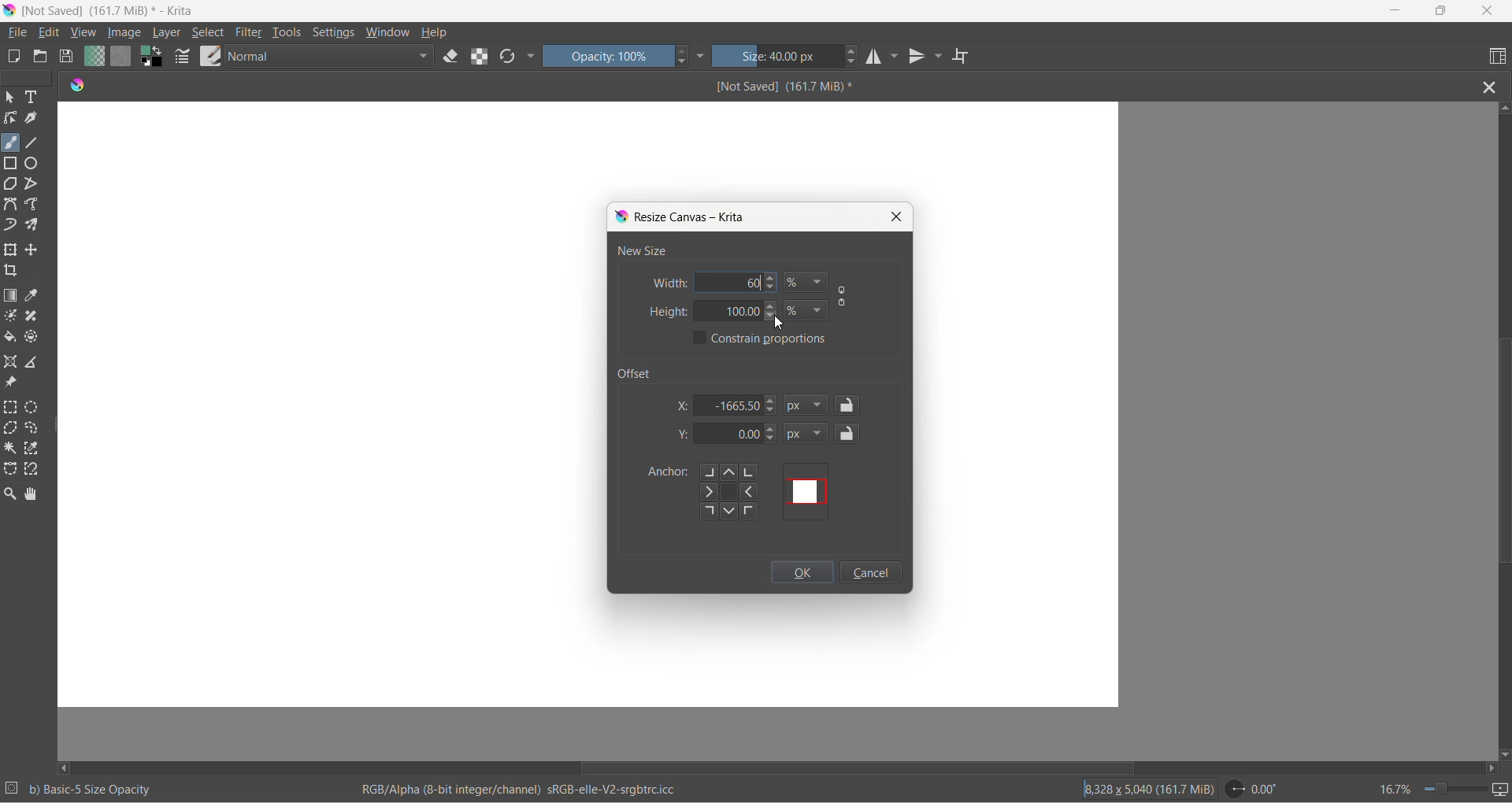 The width and height of the screenshot is (1512, 803). What do you see at coordinates (896, 216) in the screenshot?
I see `close` at bounding box center [896, 216].